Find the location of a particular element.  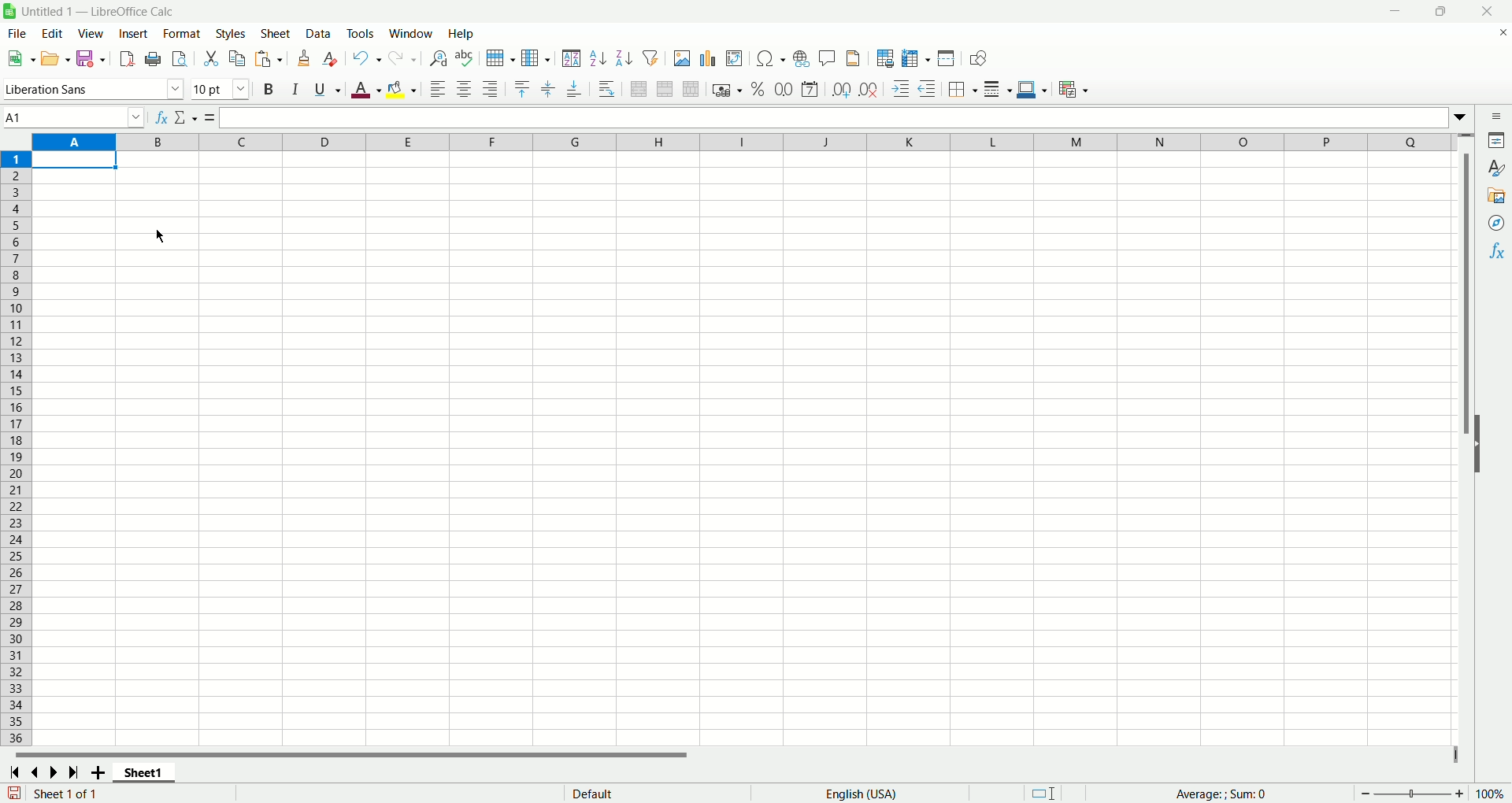

sheet number is located at coordinates (50, 794).